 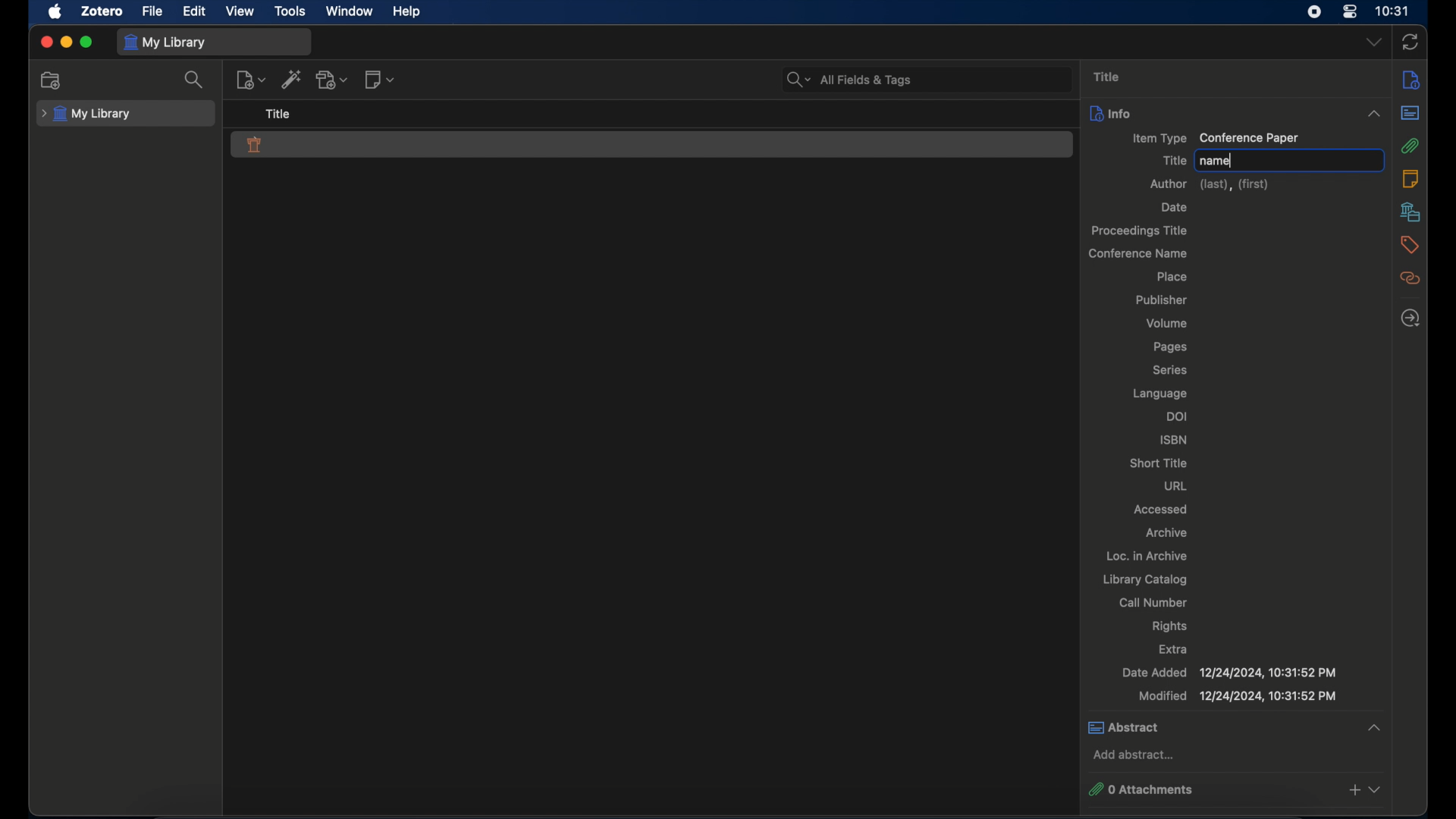 I want to click on date added, so click(x=1229, y=673).